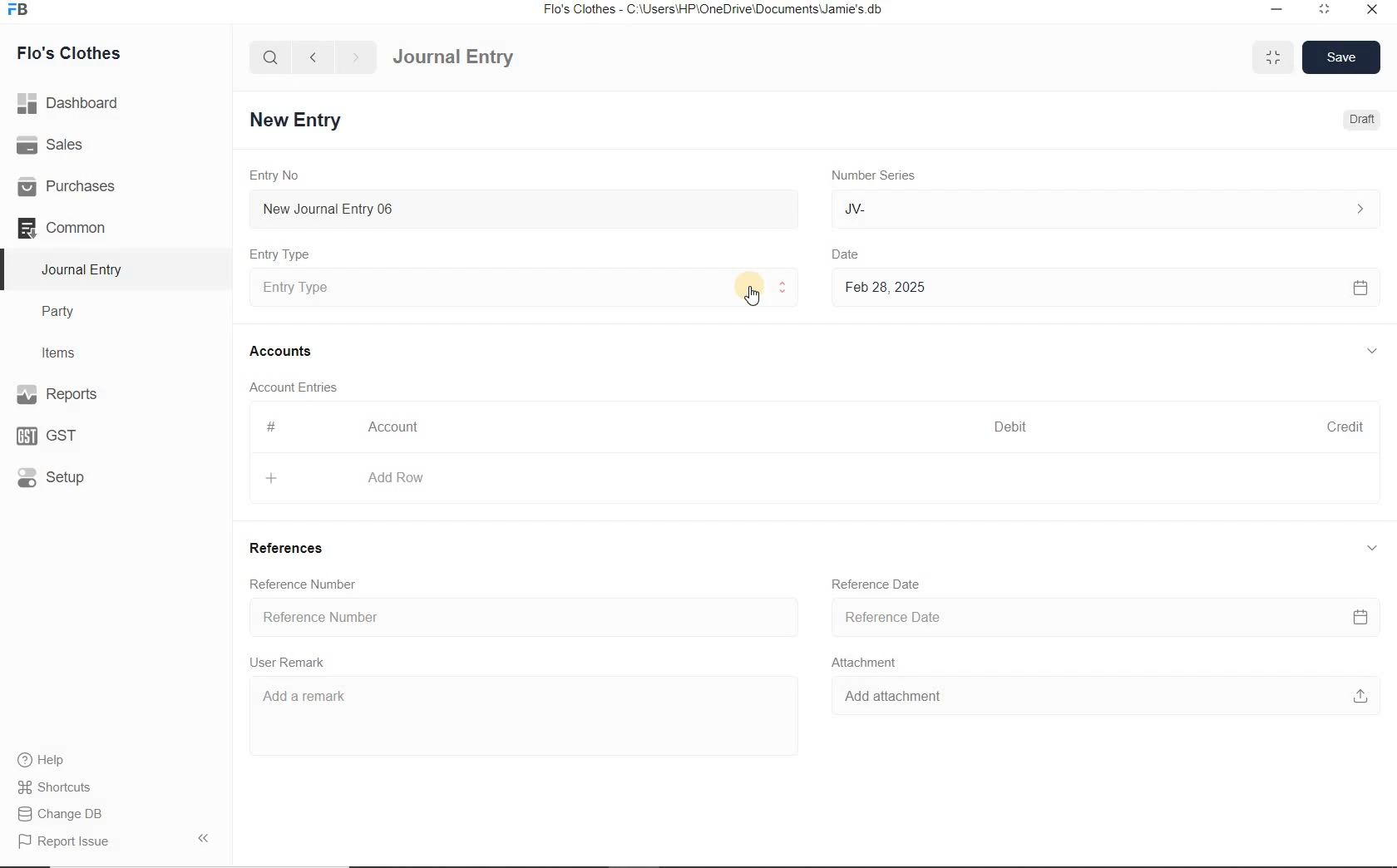 Image resolution: width=1397 pixels, height=868 pixels. Describe the element at coordinates (398, 427) in the screenshot. I see `Account` at that location.